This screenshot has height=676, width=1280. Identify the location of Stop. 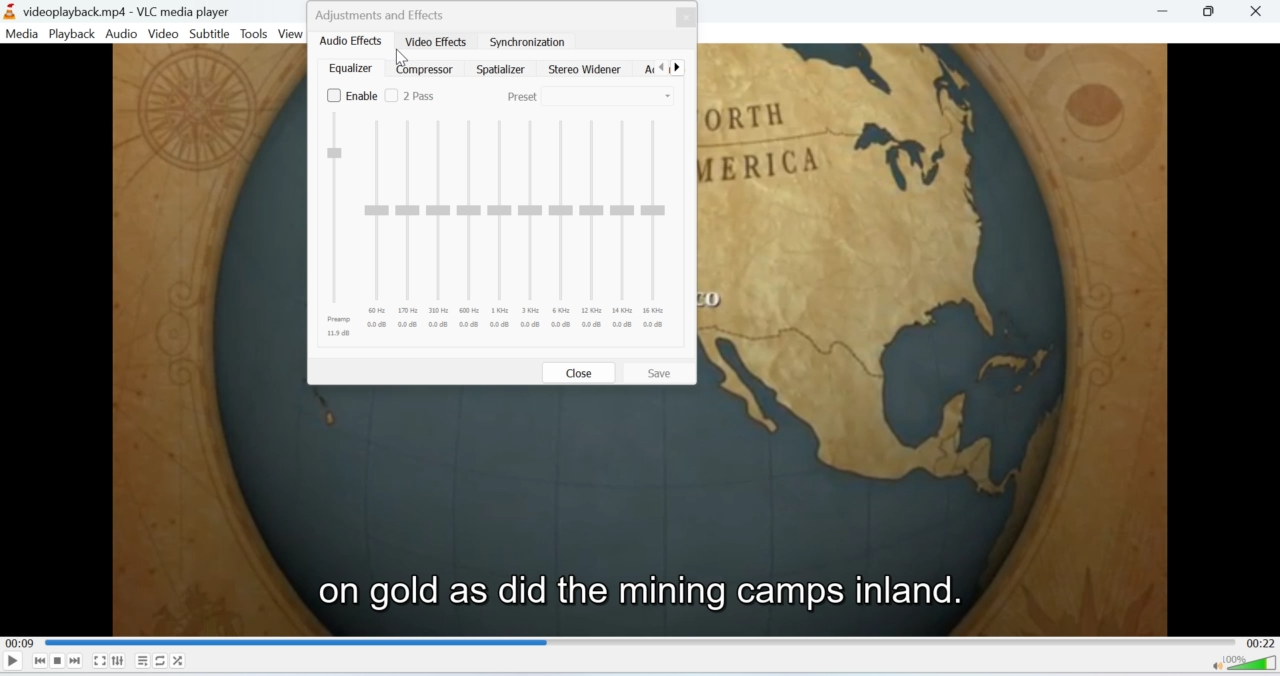
(58, 662).